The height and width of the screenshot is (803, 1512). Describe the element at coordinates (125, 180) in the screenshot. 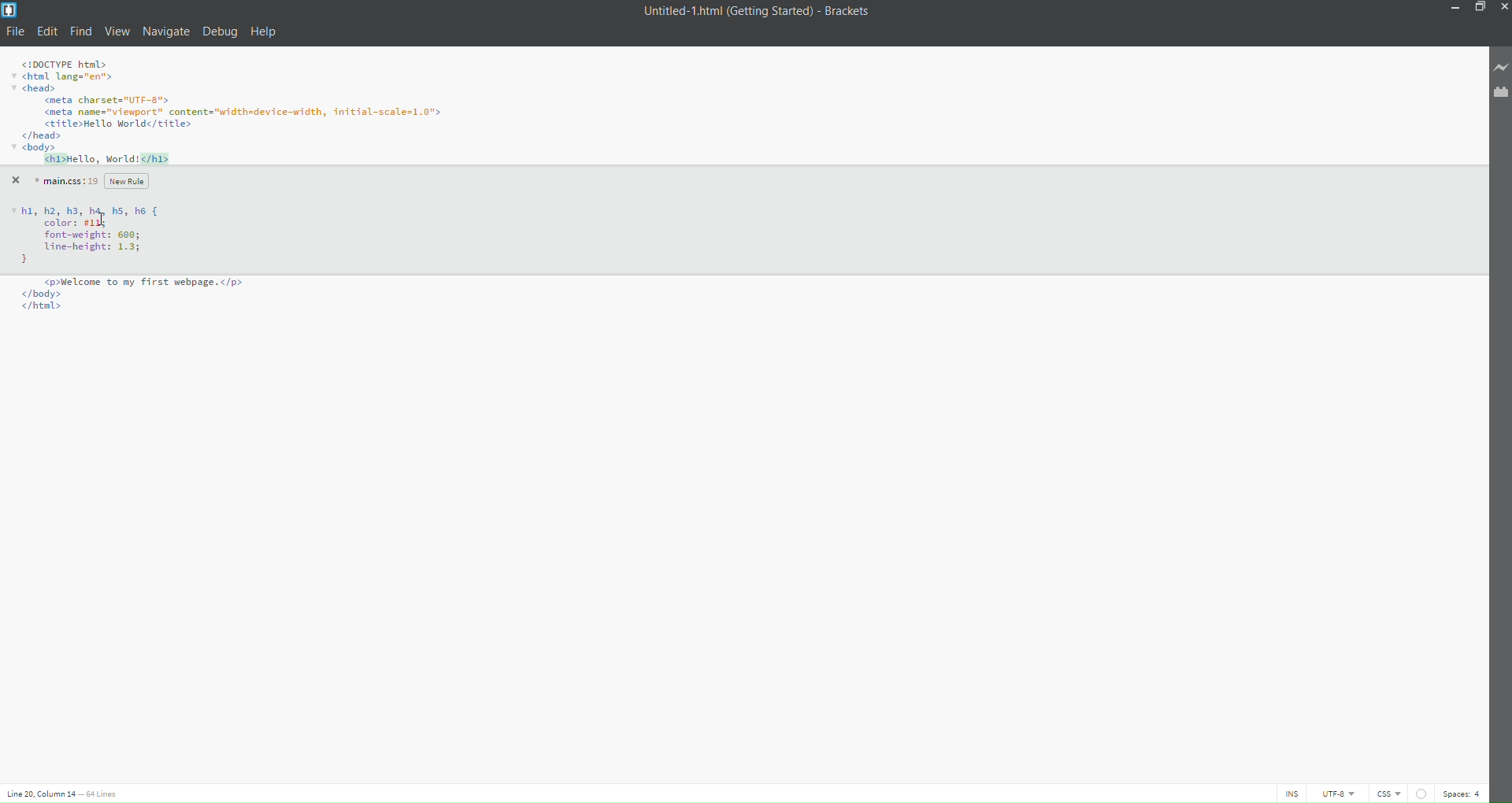

I see `new rule` at that location.